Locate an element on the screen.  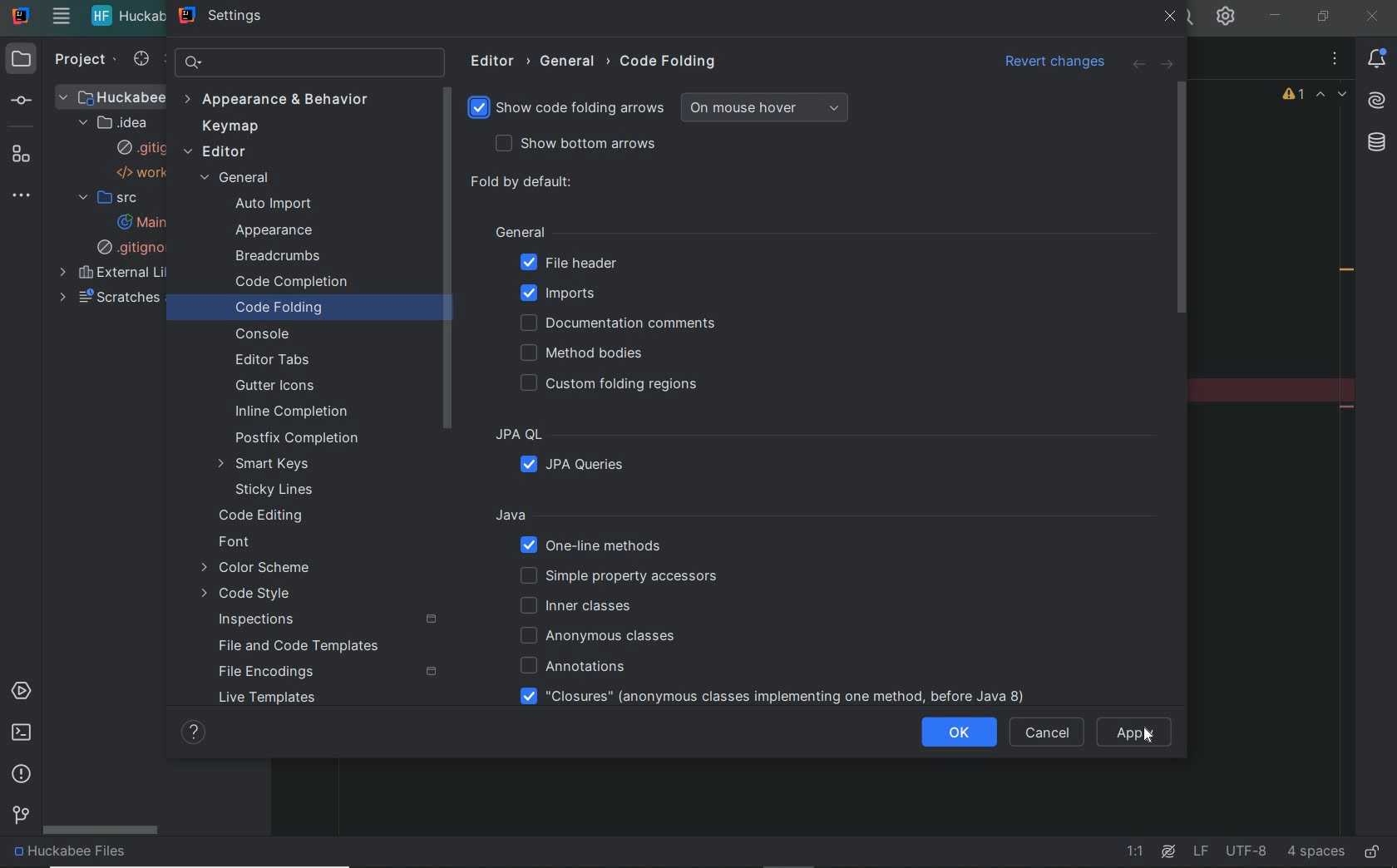
src is located at coordinates (107, 199).